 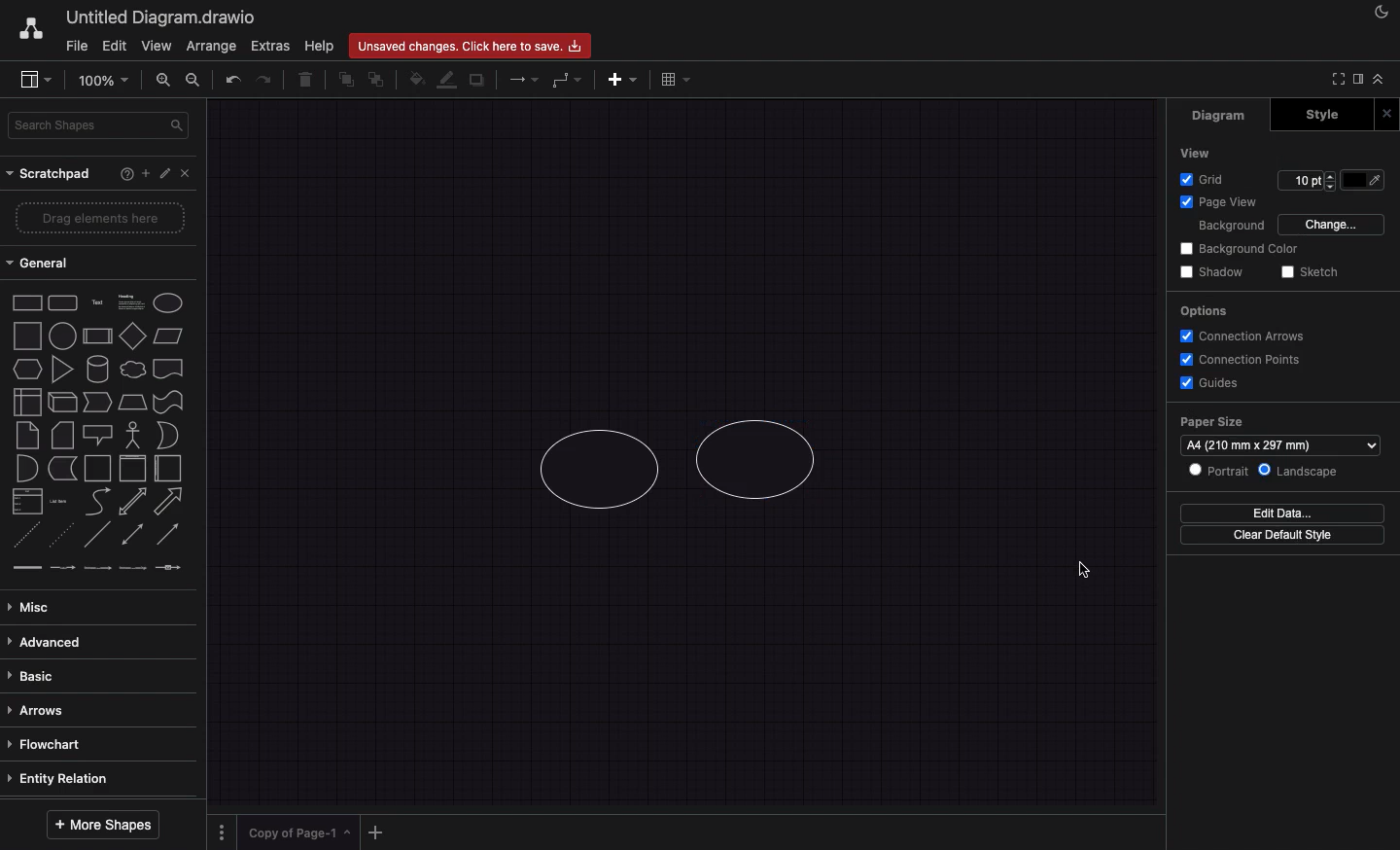 What do you see at coordinates (99, 301) in the screenshot?
I see `text` at bounding box center [99, 301].